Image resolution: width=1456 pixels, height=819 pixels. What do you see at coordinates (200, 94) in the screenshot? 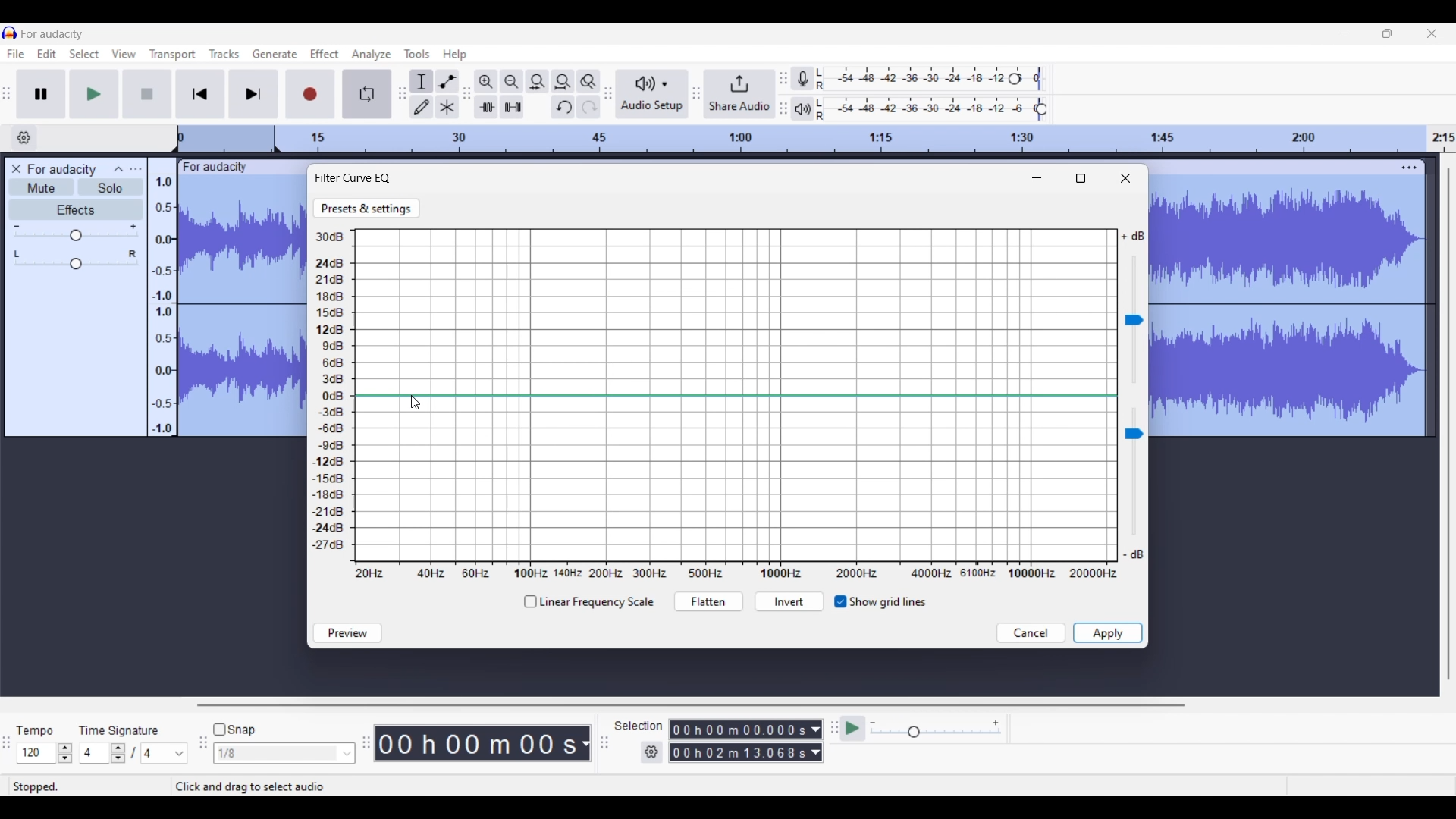
I see `Skip/Select to start` at bounding box center [200, 94].